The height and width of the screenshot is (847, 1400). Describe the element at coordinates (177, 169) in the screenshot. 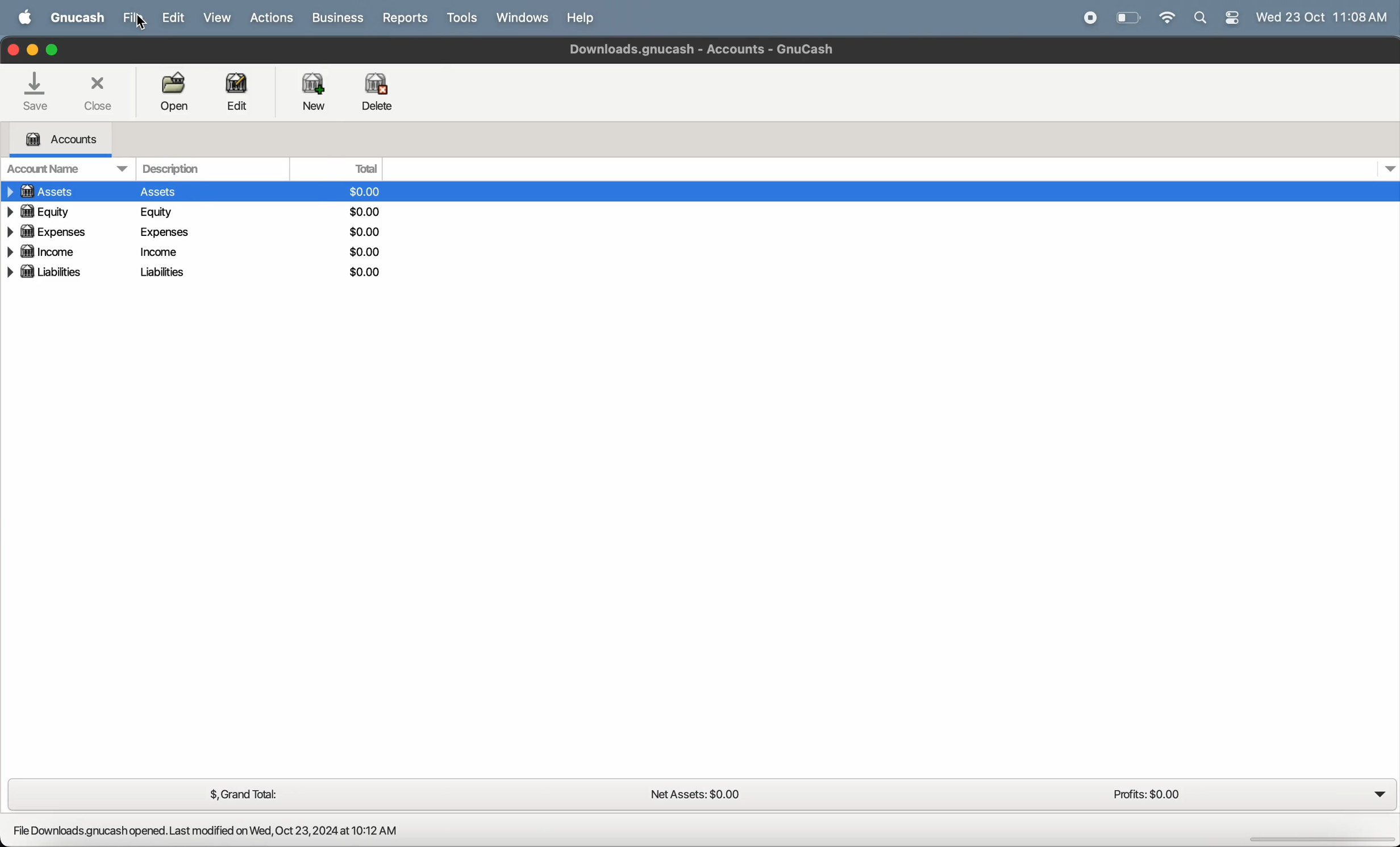

I see `description` at that location.